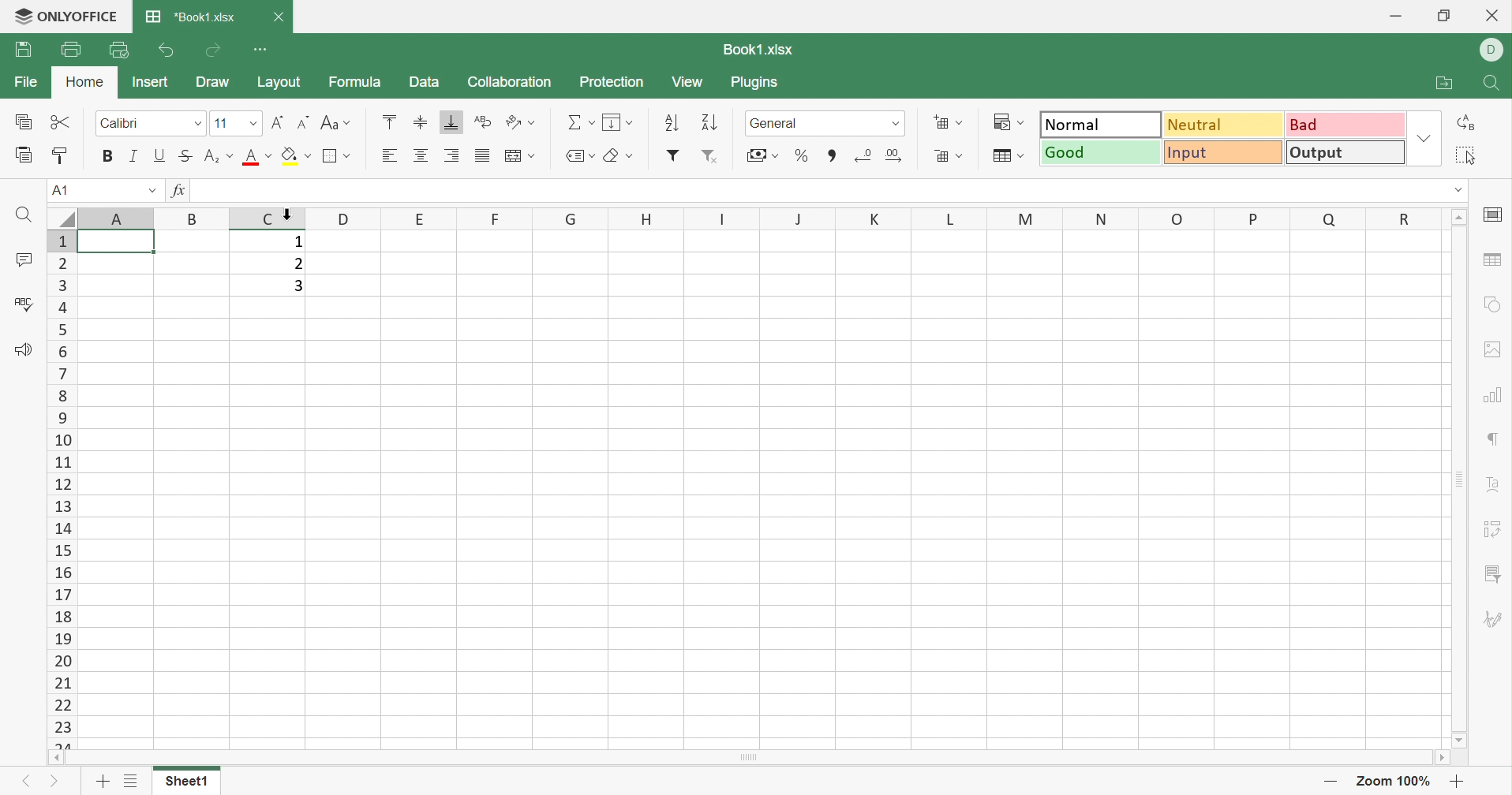 Image resolution: width=1512 pixels, height=795 pixels. What do you see at coordinates (594, 155) in the screenshot?
I see `Drop Down` at bounding box center [594, 155].